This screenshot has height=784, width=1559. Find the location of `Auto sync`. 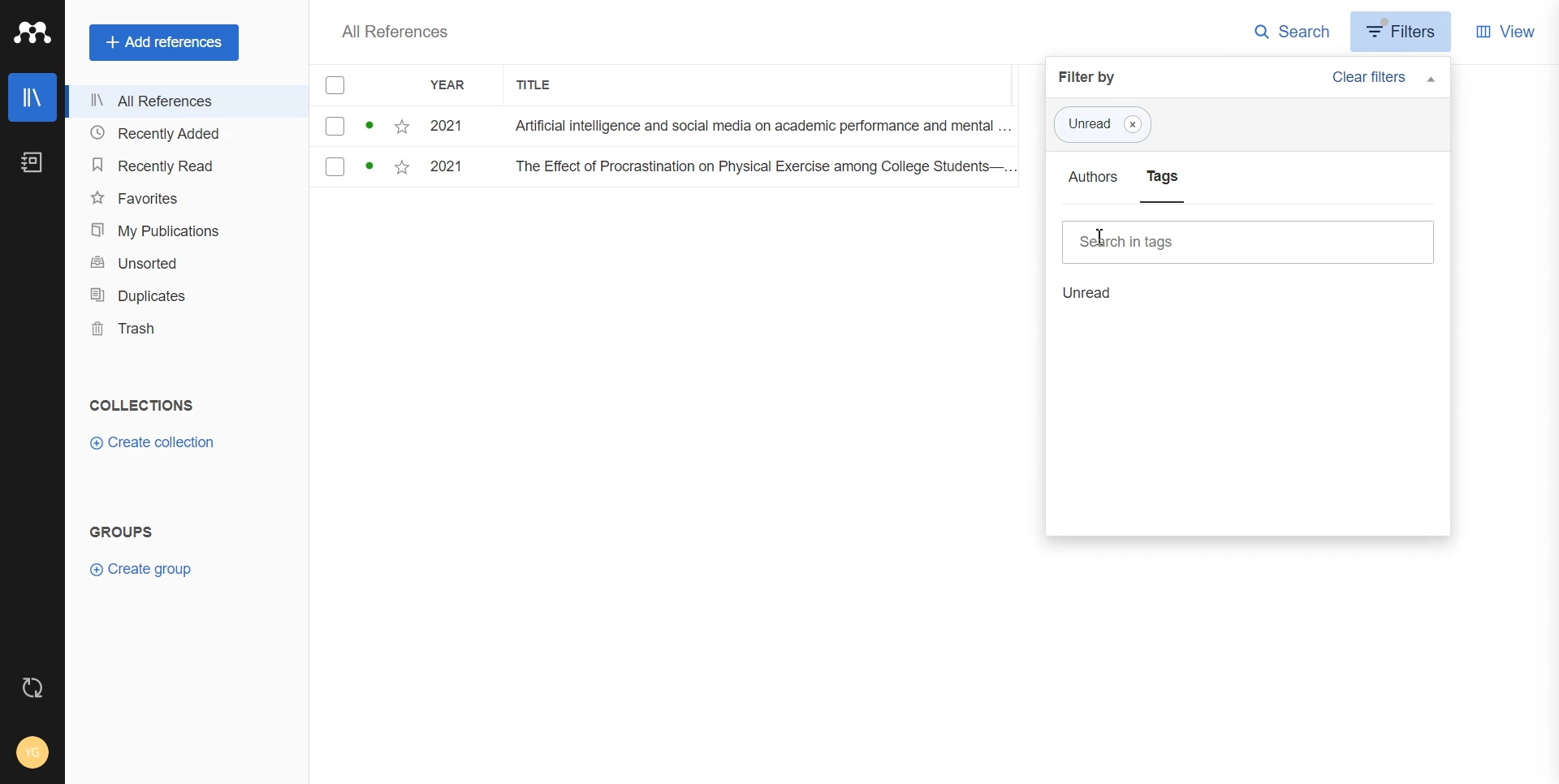

Auto sync is located at coordinates (32, 687).